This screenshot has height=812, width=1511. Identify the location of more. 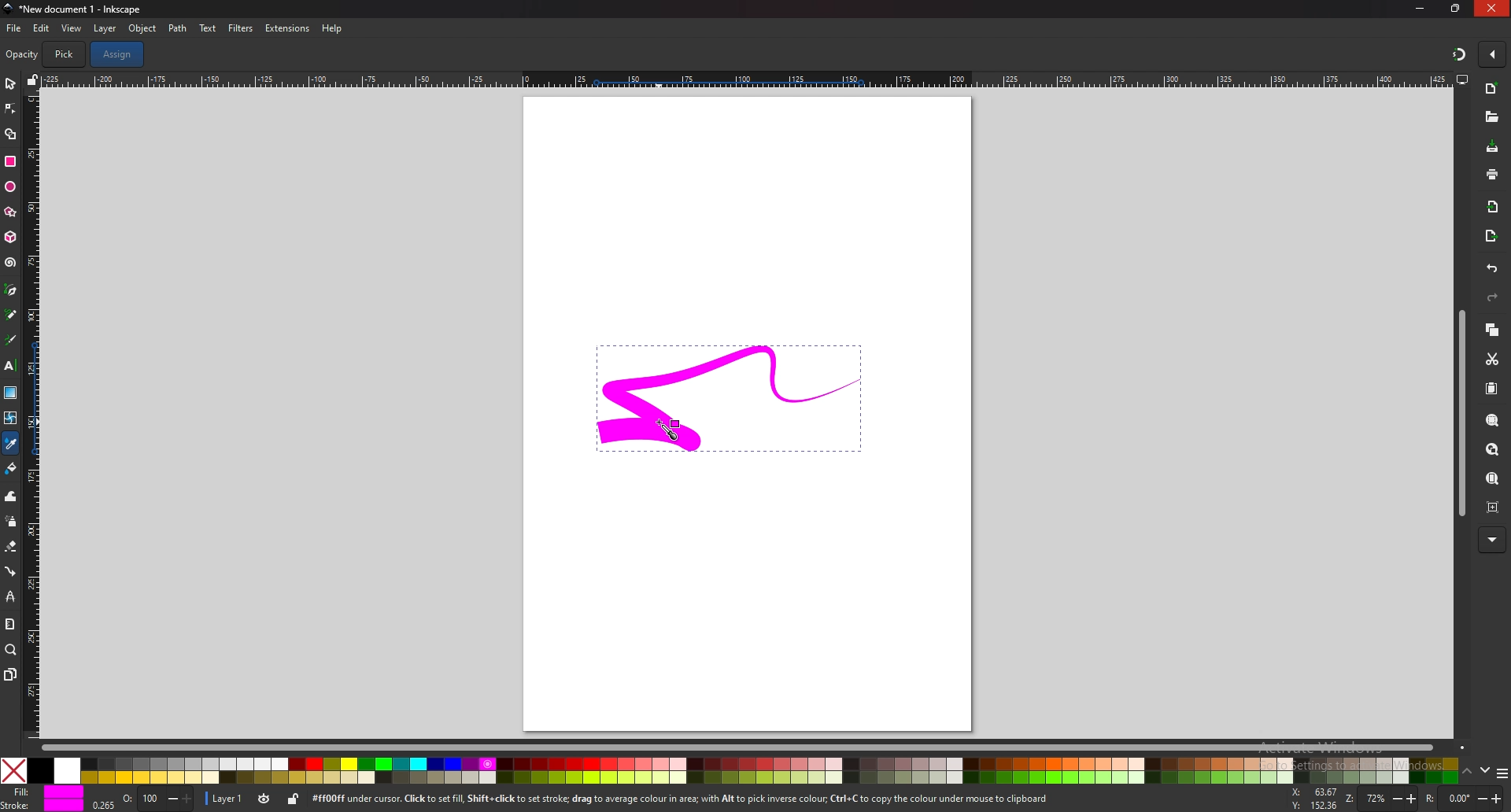
(1492, 540).